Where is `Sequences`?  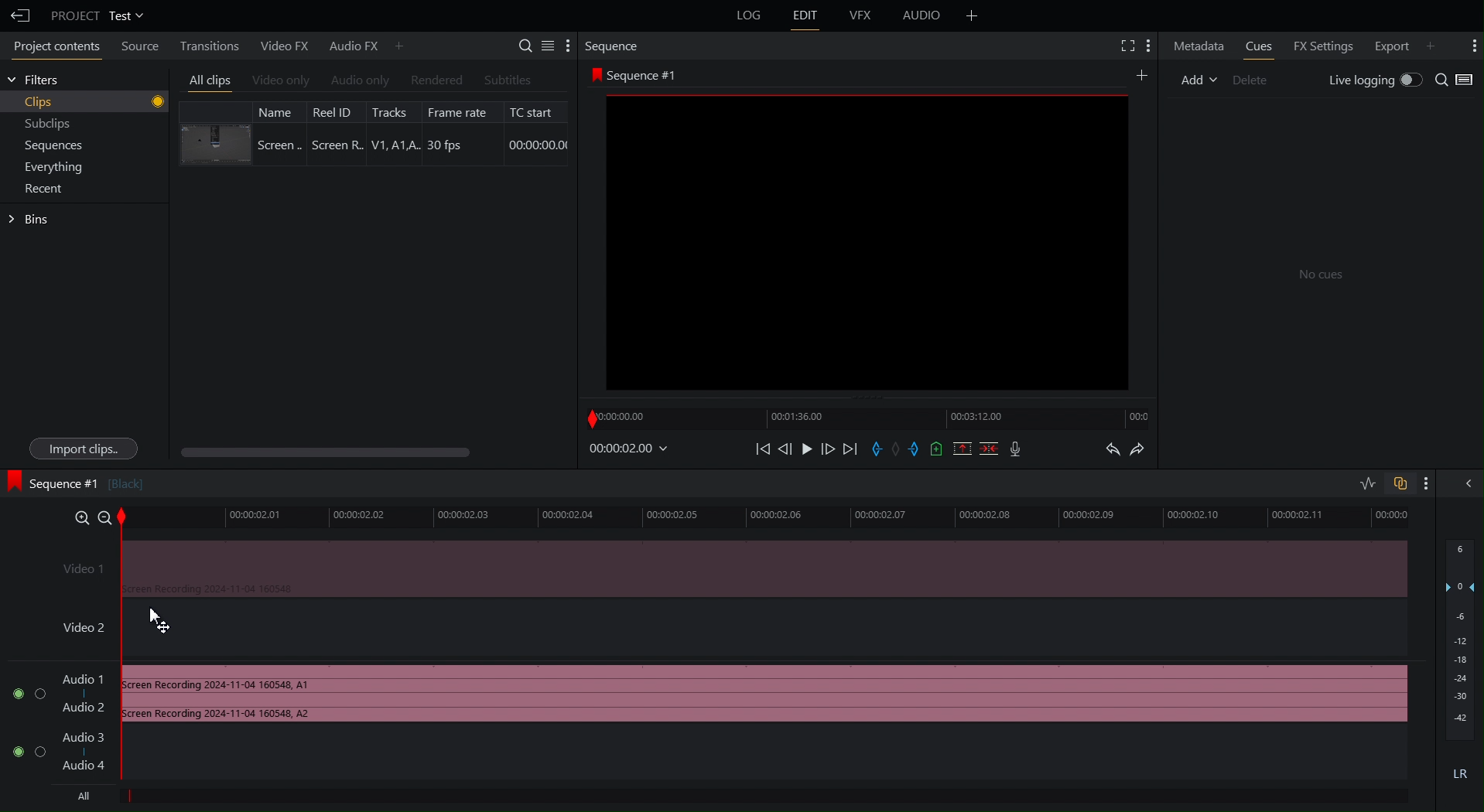 Sequences is located at coordinates (46, 146).